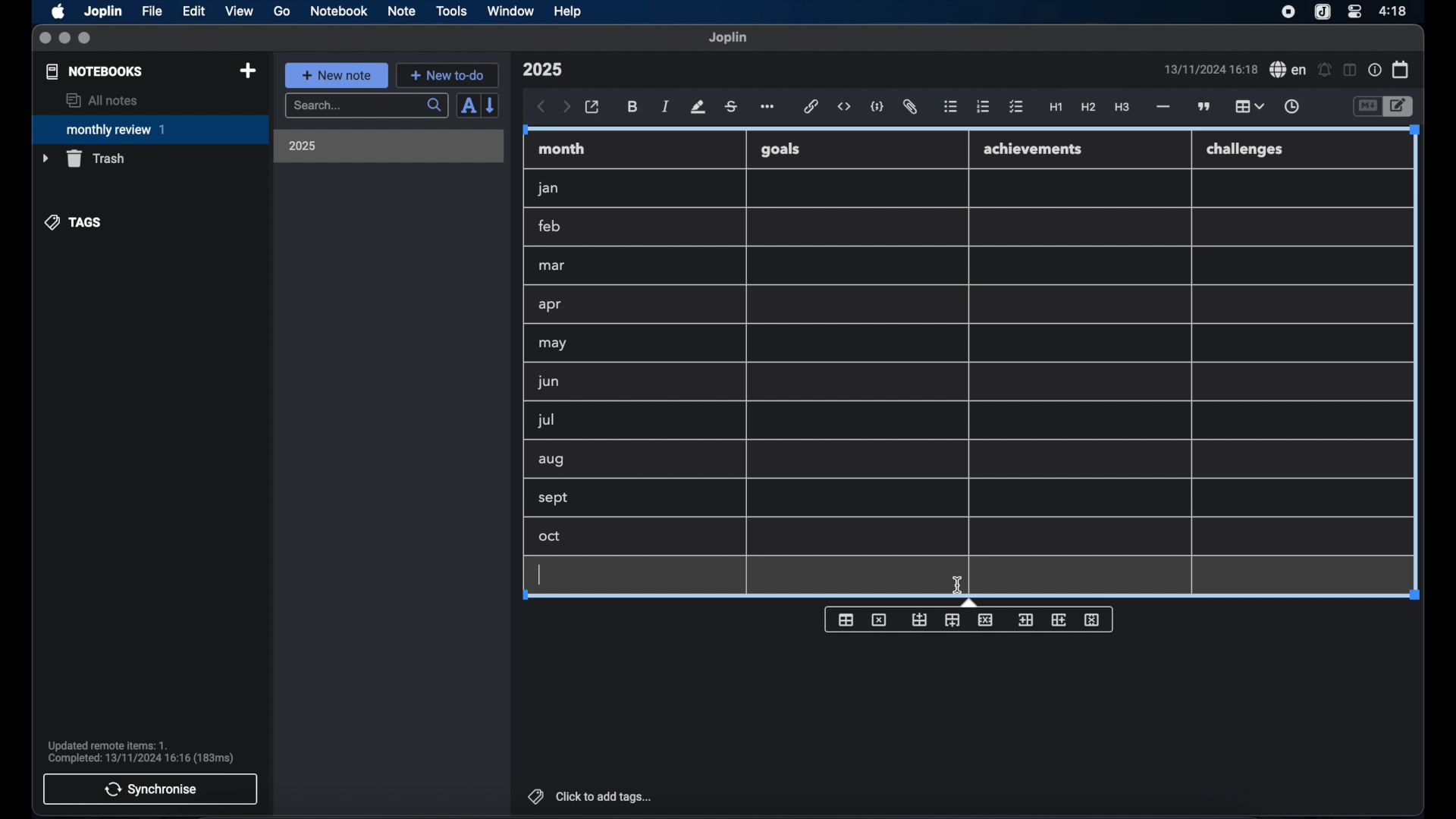  I want to click on insert column after, so click(1061, 620).